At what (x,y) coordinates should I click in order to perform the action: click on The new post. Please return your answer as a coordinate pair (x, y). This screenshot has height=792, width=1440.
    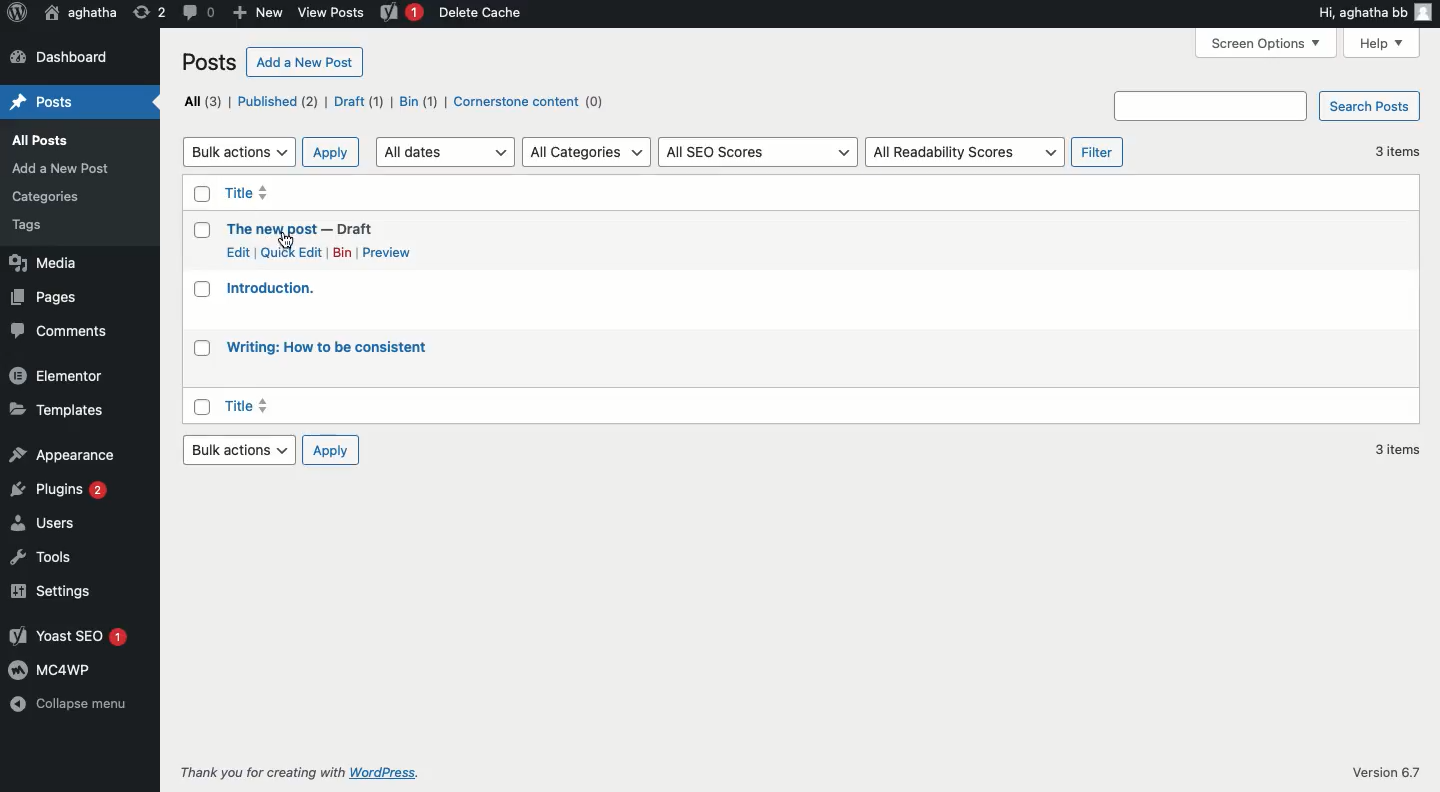
    Looking at the image, I should click on (272, 227).